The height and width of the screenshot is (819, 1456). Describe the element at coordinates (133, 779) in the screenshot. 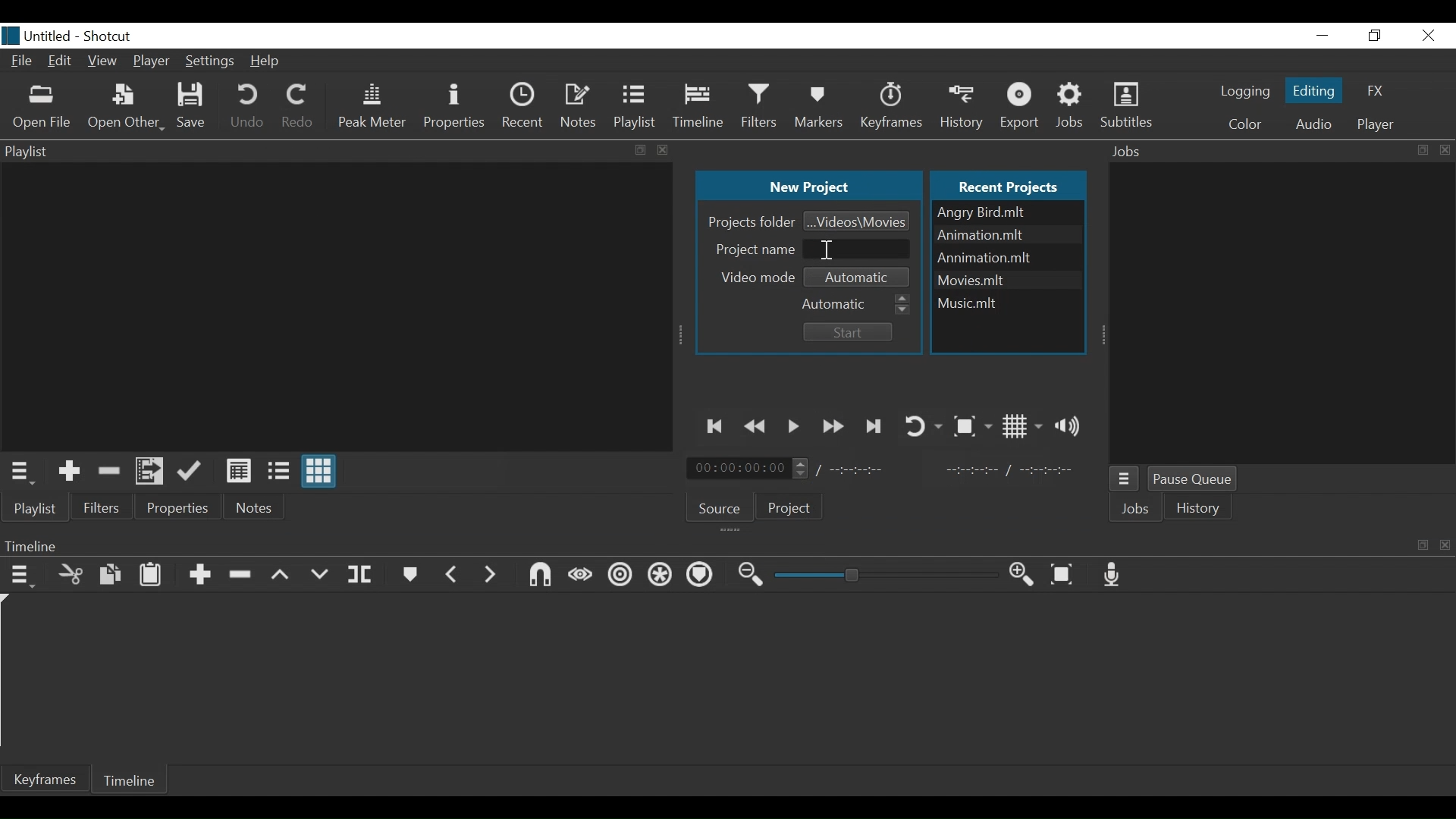

I see `Timeline` at that location.